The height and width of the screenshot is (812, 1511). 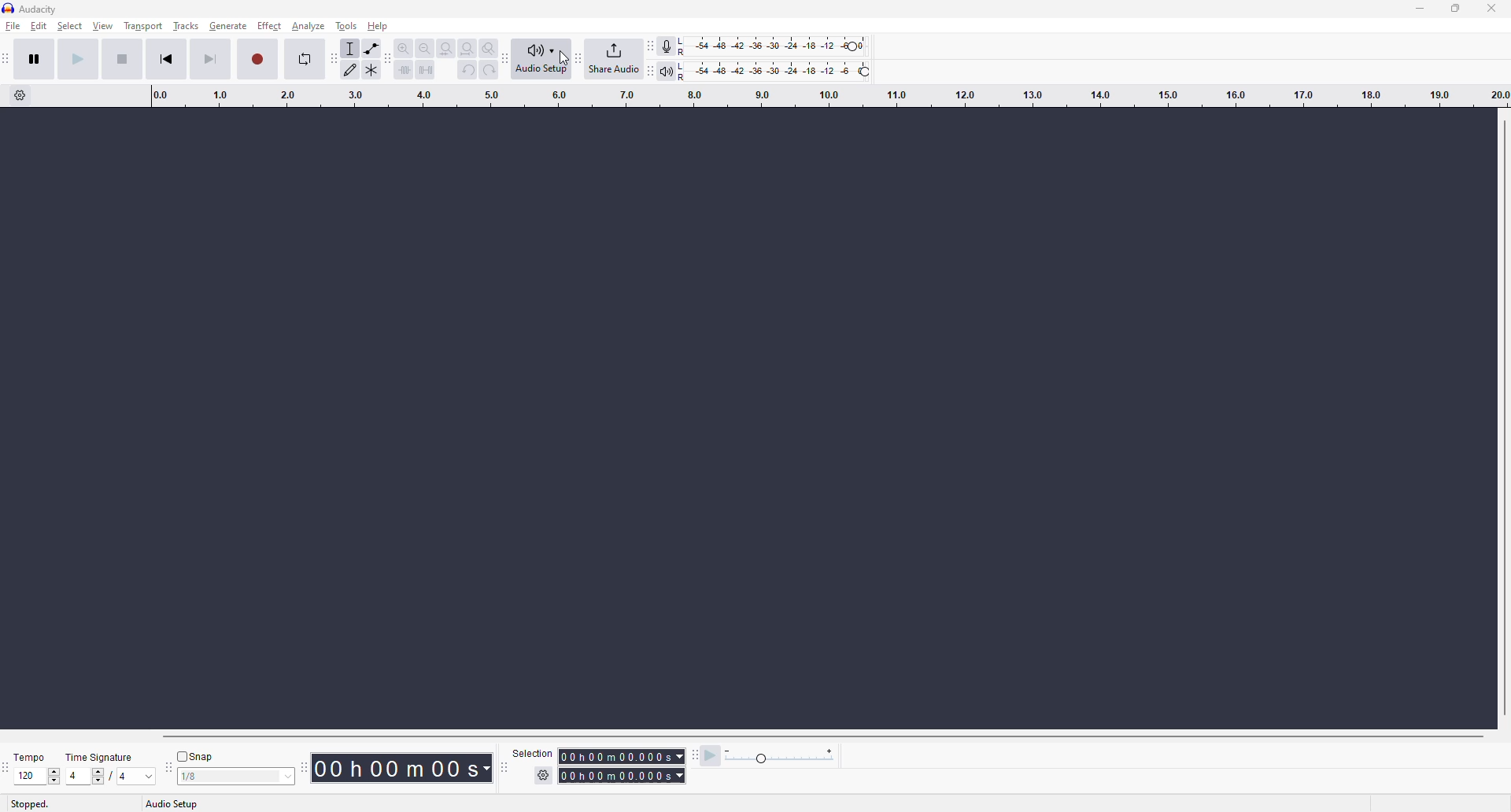 What do you see at coordinates (350, 50) in the screenshot?
I see `selection tool` at bounding box center [350, 50].